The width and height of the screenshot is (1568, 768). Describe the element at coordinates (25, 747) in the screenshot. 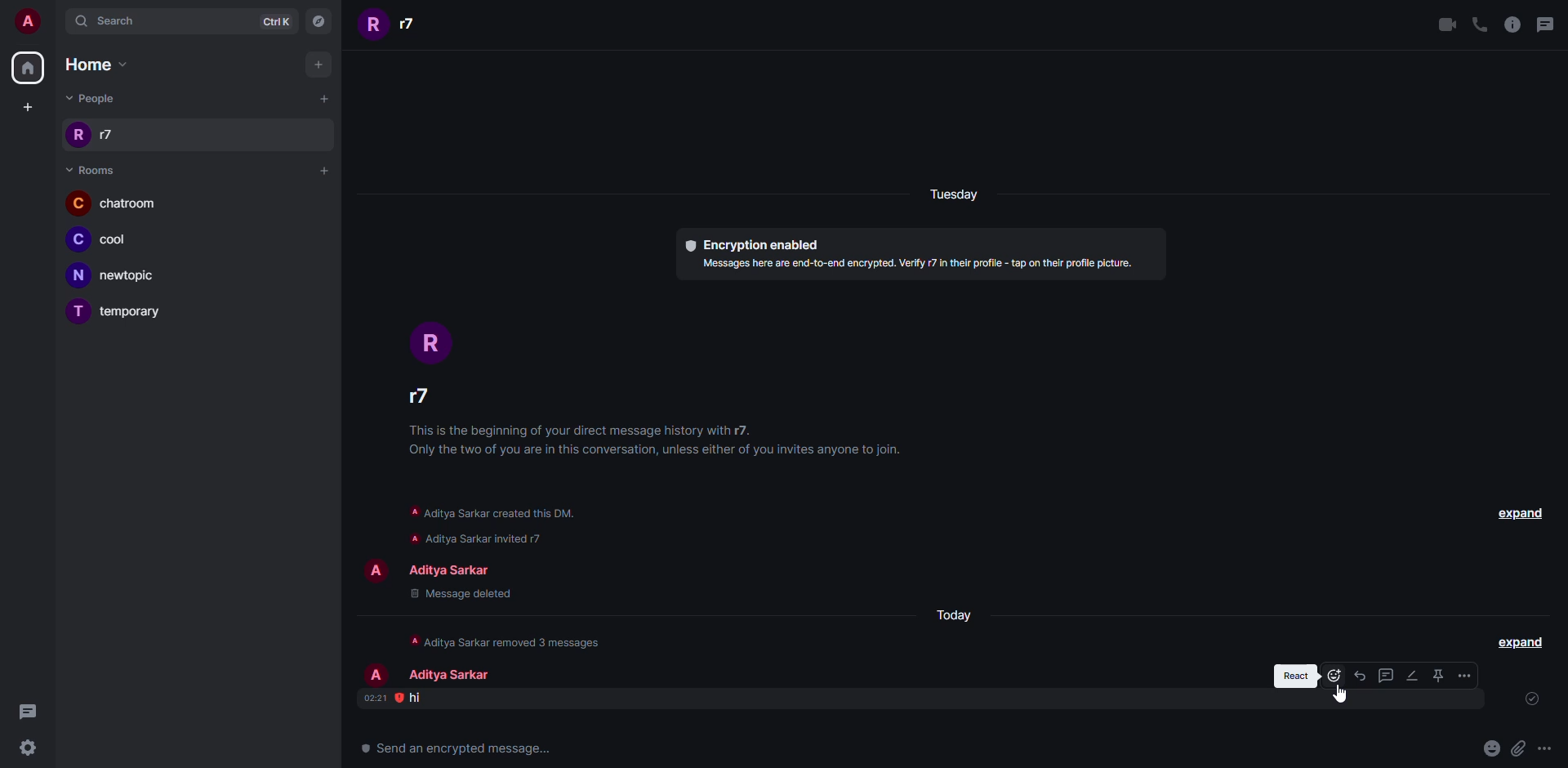

I see `settings` at that location.